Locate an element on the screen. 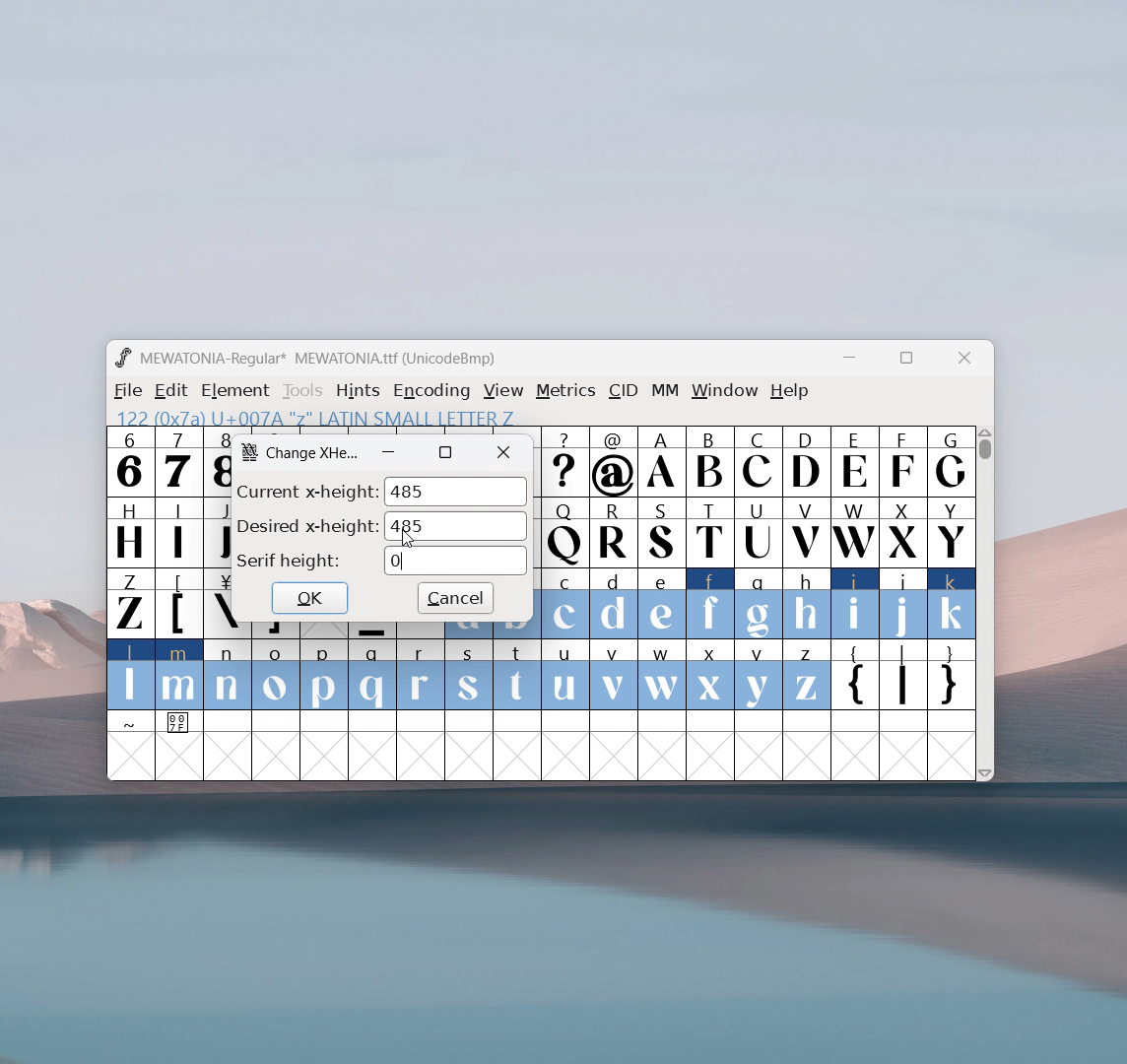 The height and width of the screenshot is (1064, 1127). 485 is located at coordinates (456, 526).